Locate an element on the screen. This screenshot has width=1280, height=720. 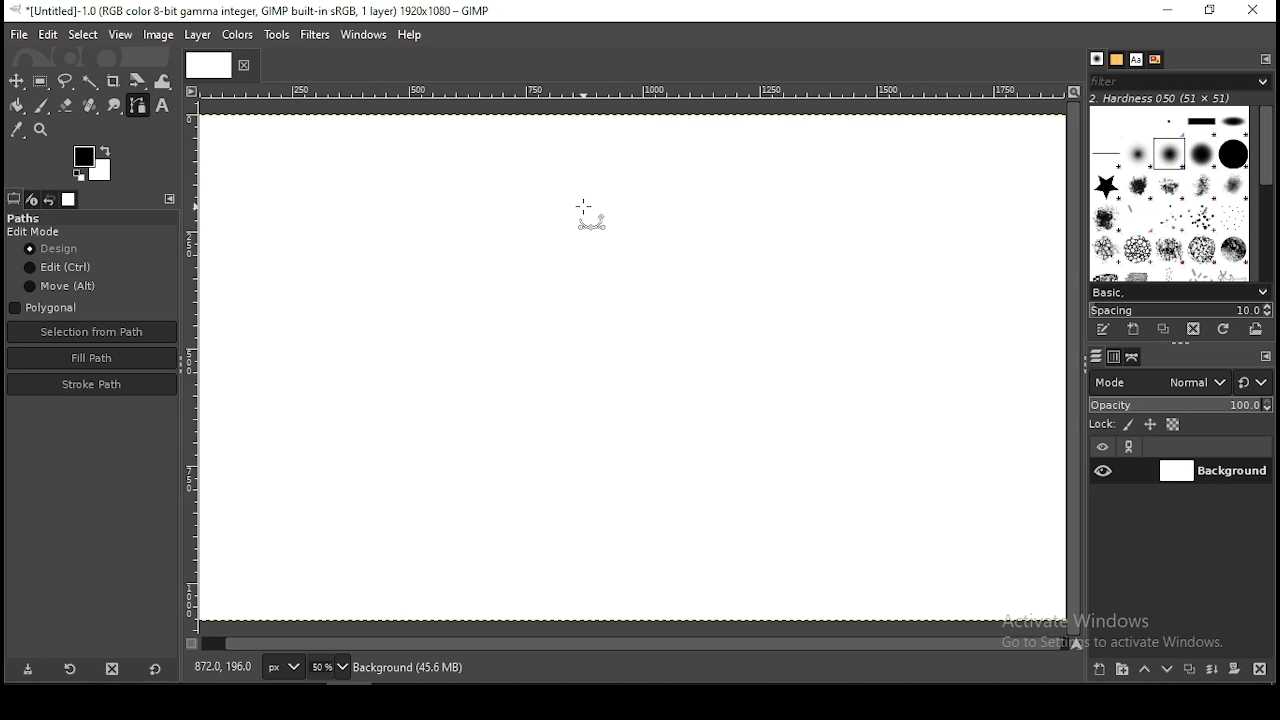
scroll bar is located at coordinates (1073, 368).